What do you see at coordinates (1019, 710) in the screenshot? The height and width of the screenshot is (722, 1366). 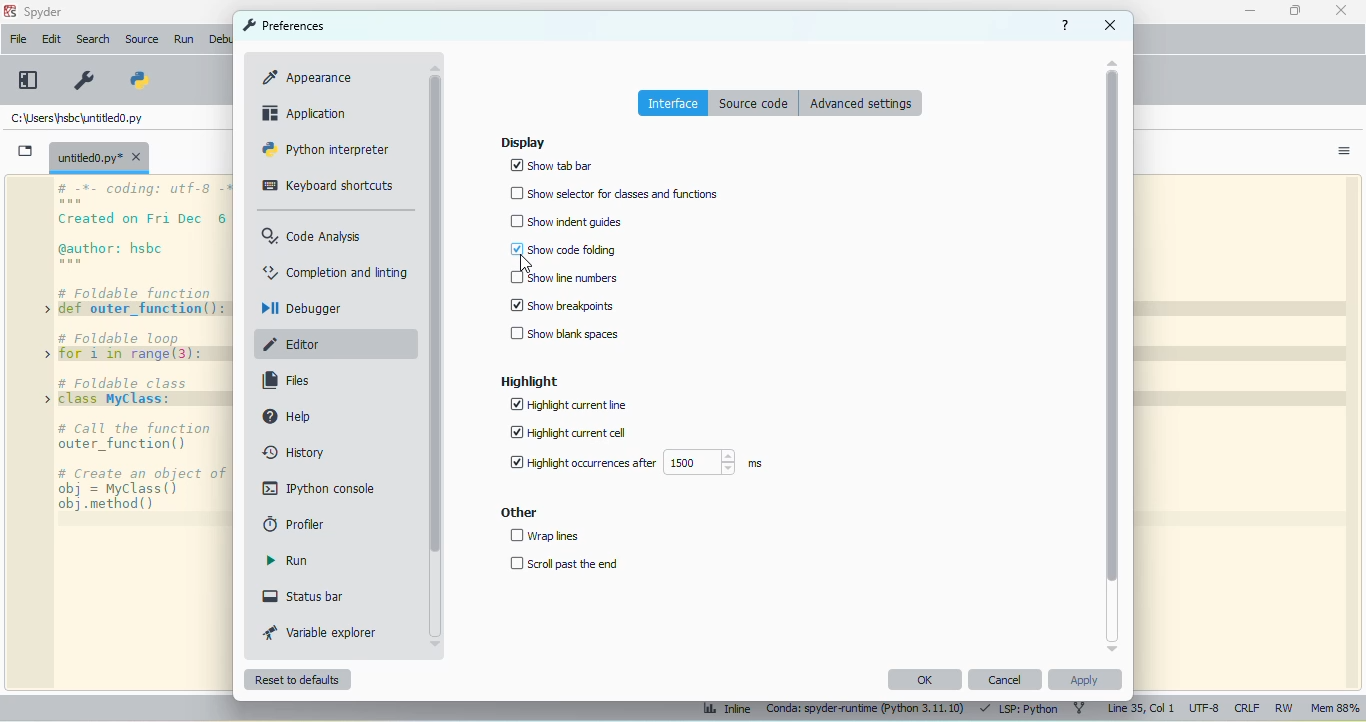 I see `LSP: python` at bounding box center [1019, 710].